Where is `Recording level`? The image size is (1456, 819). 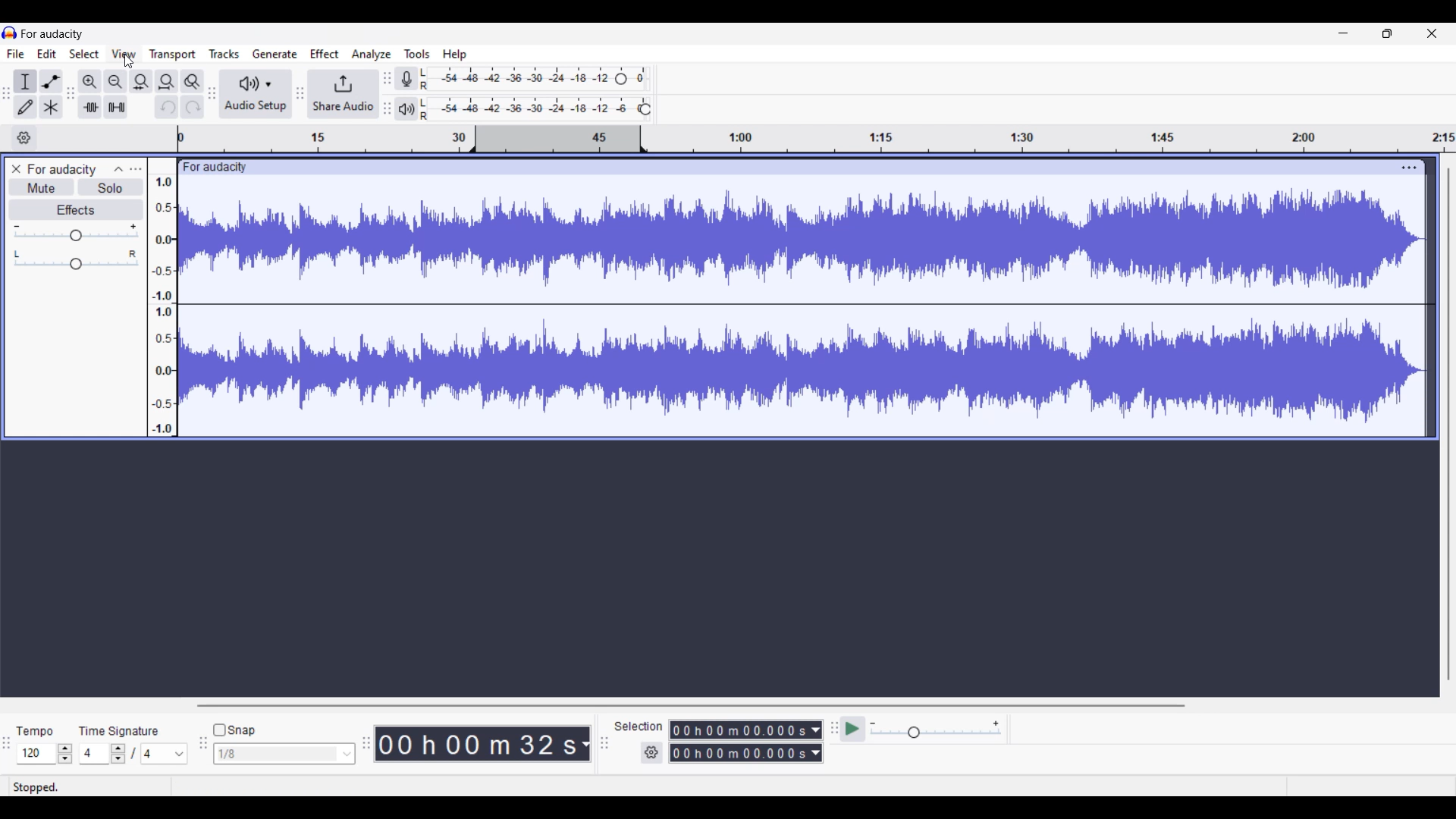
Recording level is located at coordinates (516, 79).